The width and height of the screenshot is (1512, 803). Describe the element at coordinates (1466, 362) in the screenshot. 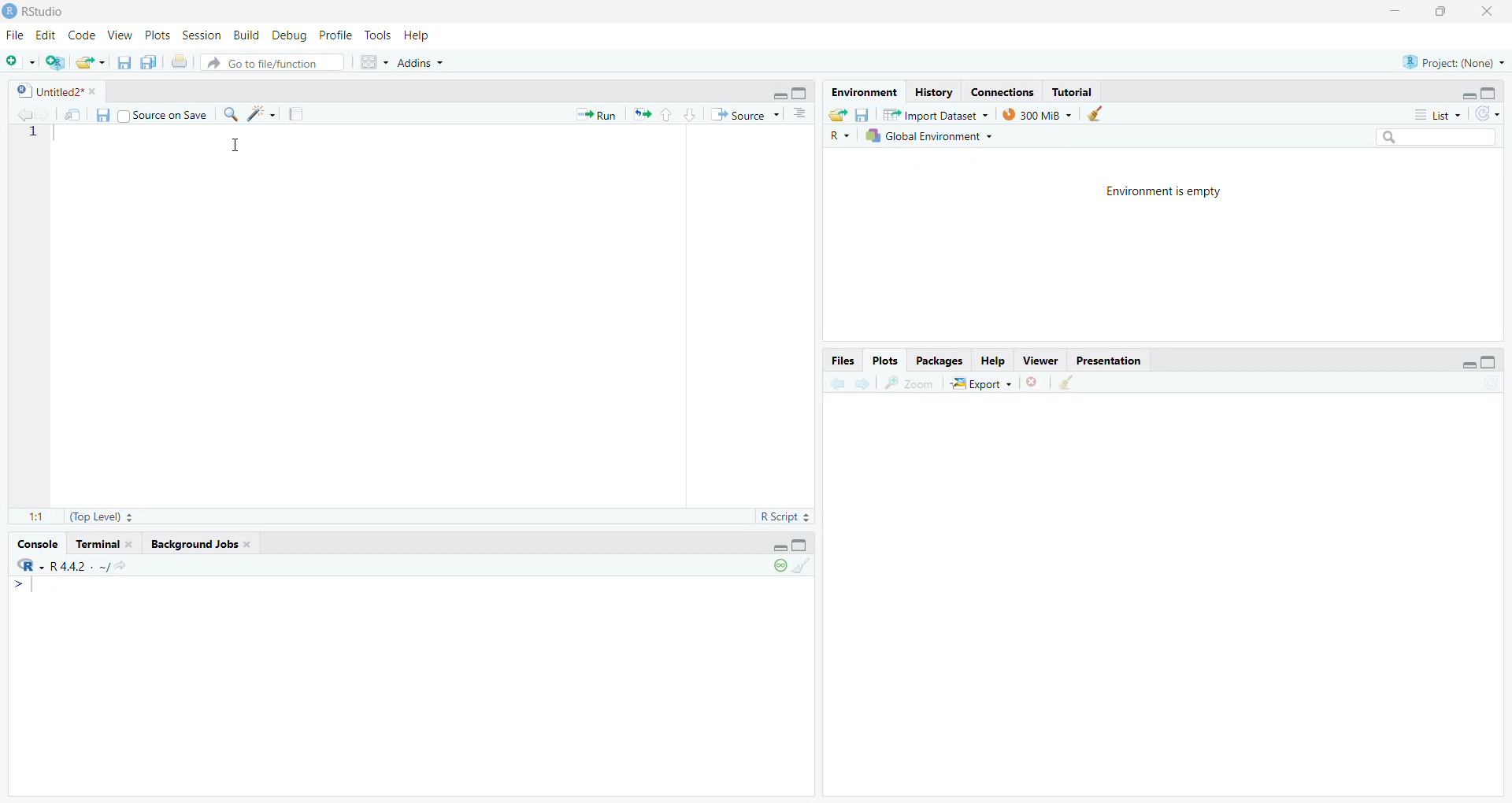

I see `hide r script` at that location.